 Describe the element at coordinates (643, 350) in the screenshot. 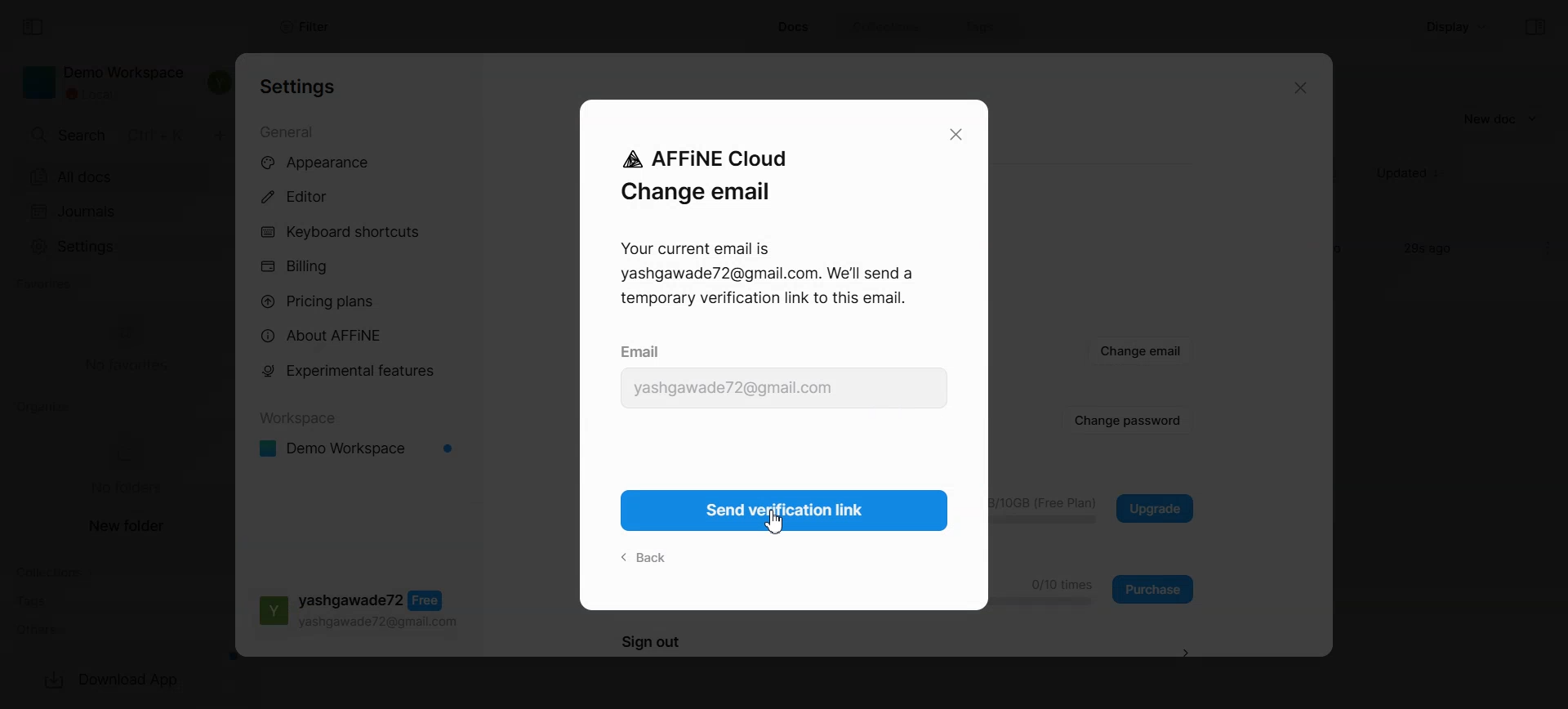

I see `email` at that location.